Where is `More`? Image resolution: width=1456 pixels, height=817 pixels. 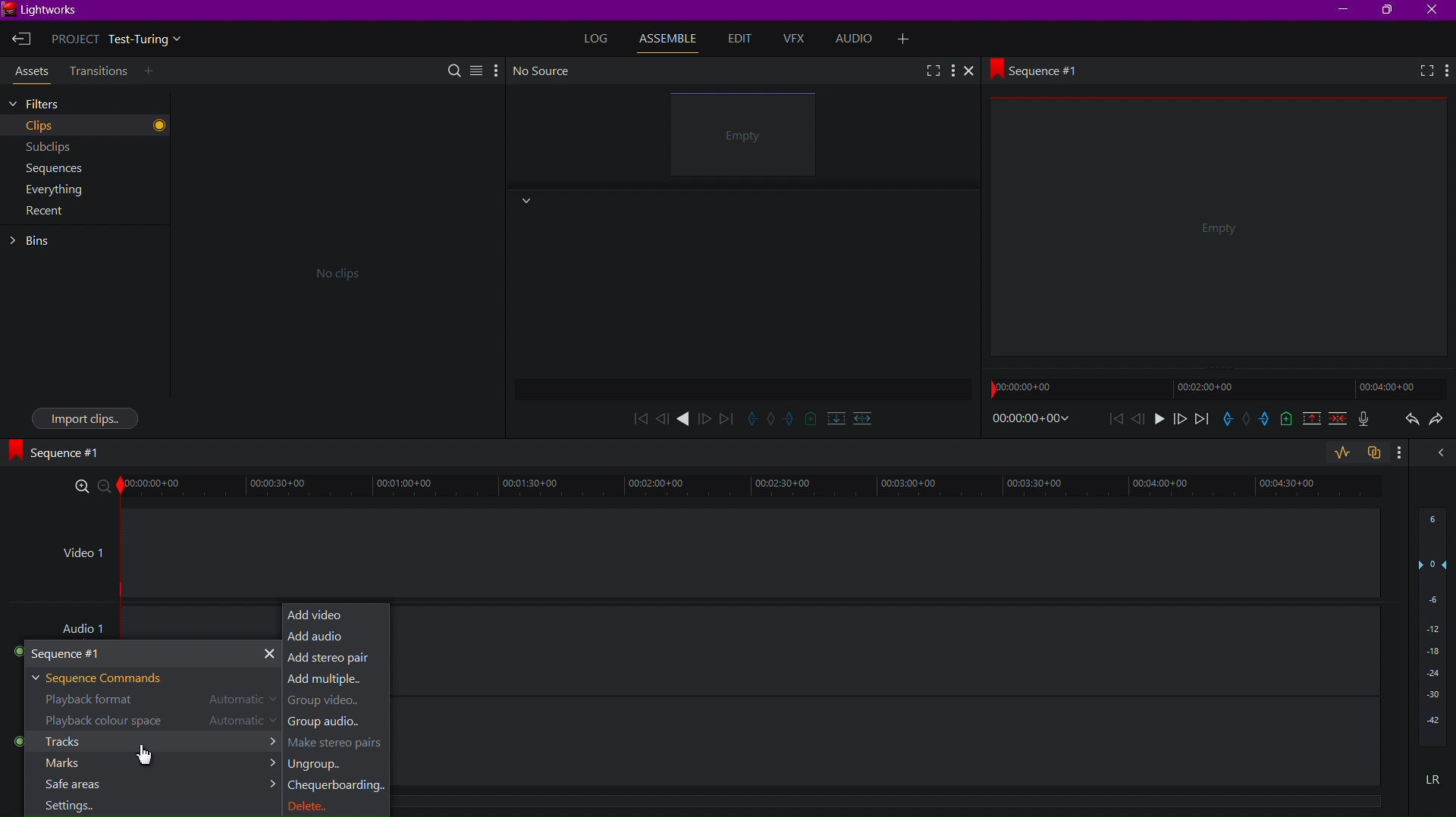
More is located at coordinates (954, 70).